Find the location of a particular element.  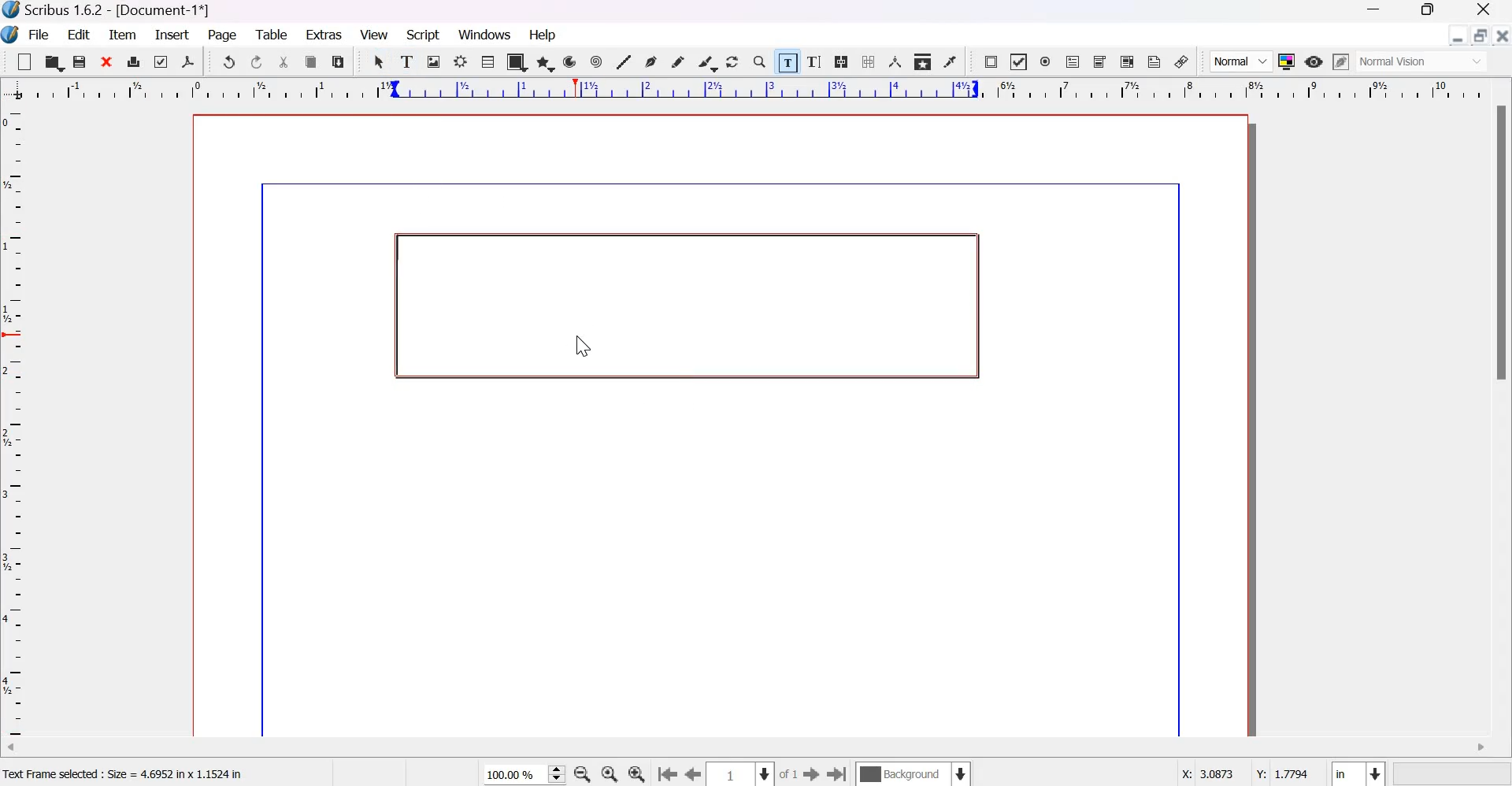

current zoom level is located at coordinates (524, 775).